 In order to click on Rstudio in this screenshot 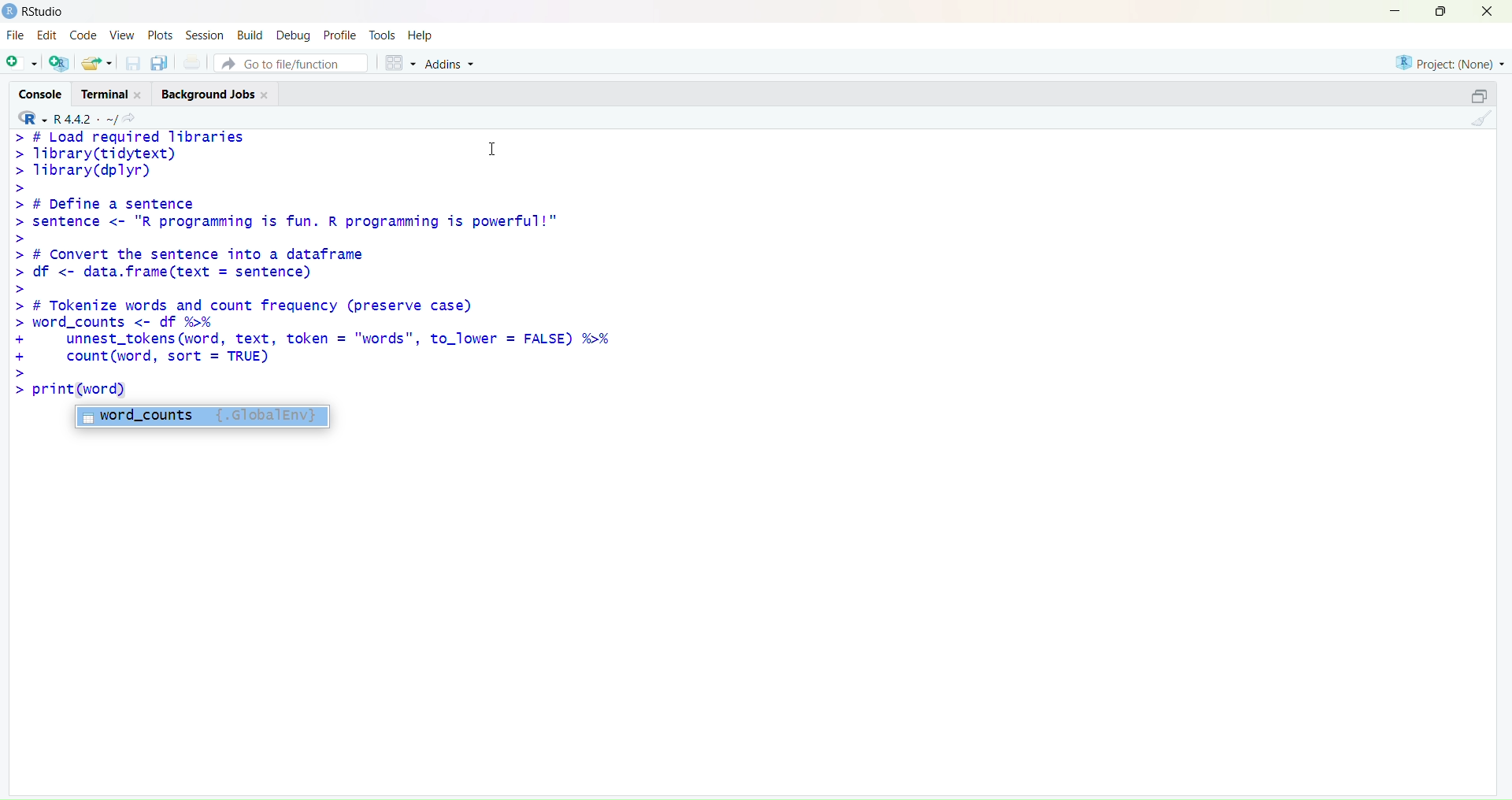, I will do `click(36, 12)`.